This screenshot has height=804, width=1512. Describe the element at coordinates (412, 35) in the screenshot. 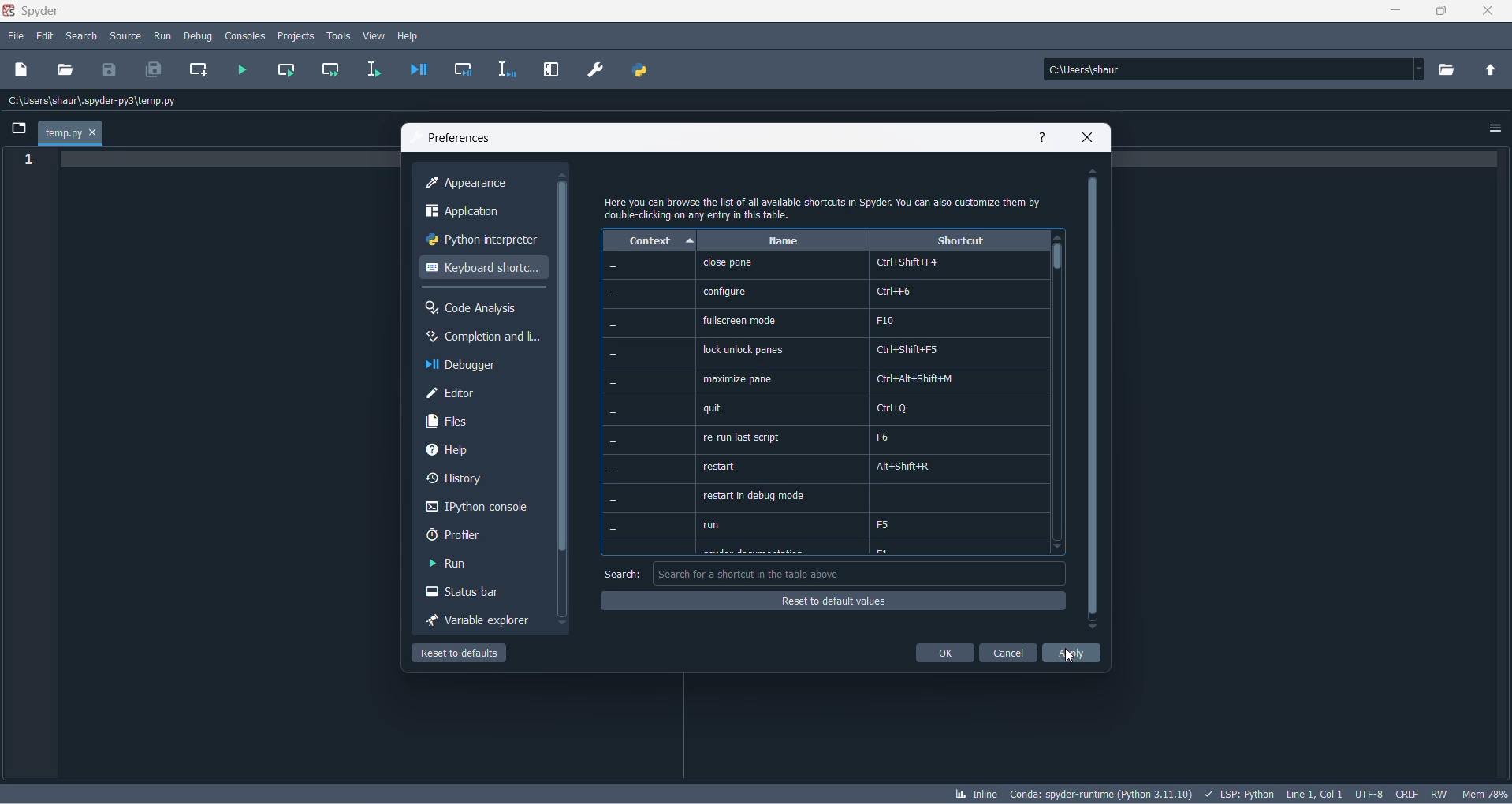

I see `help` at that location.